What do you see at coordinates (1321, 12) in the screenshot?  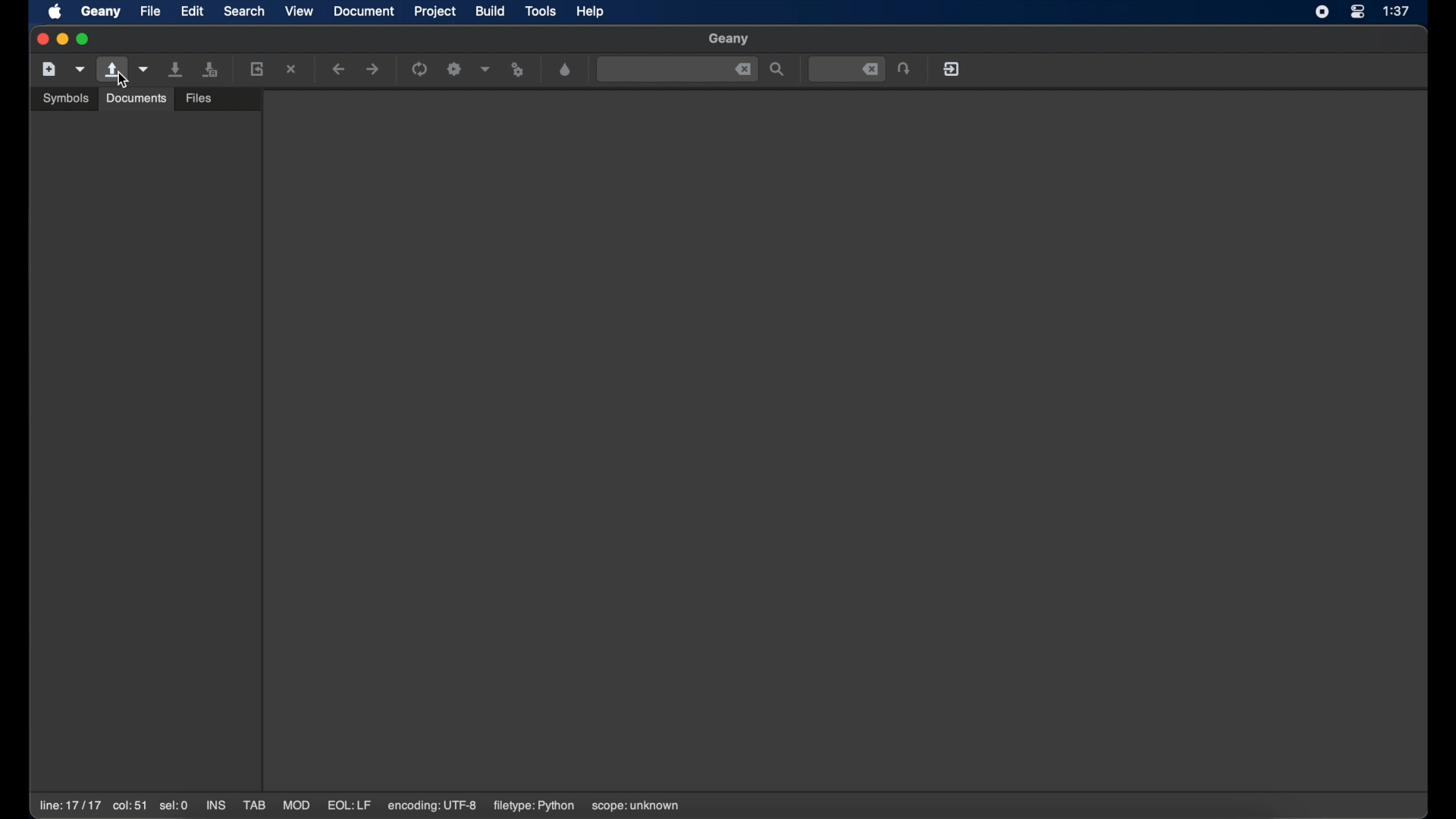 I see `screen recorder icons` at bounding box center [1321, 12].